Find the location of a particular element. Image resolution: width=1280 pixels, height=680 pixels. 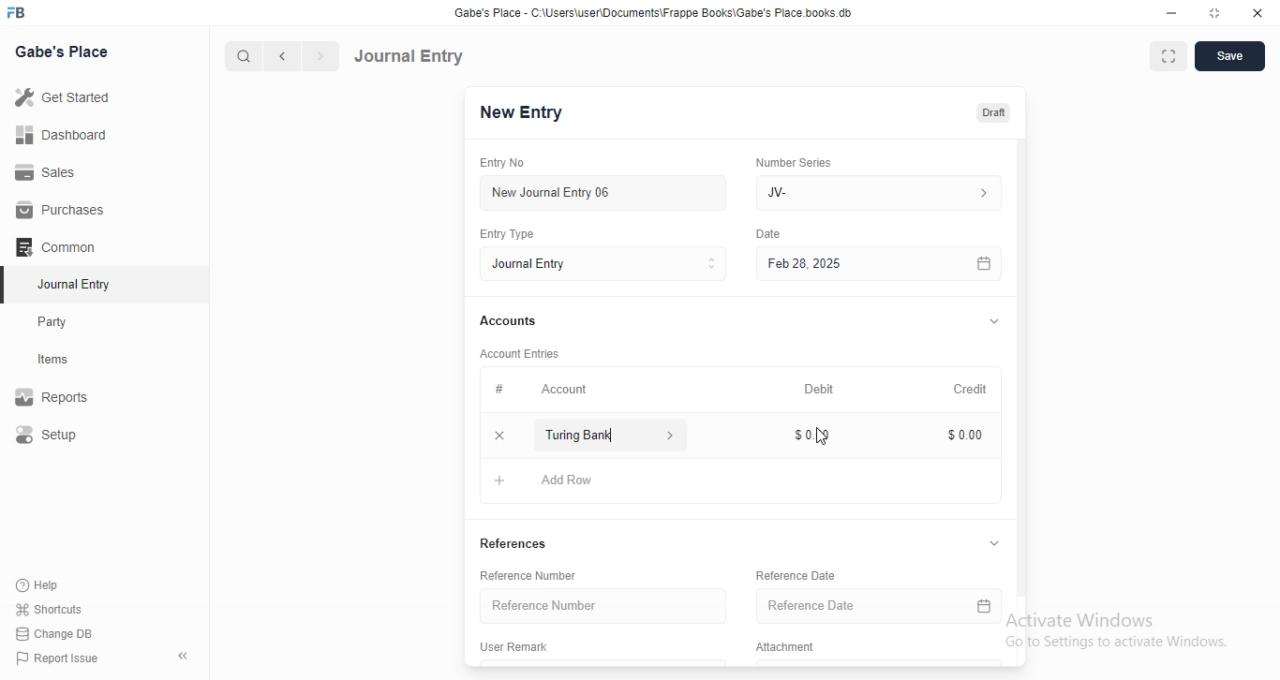

close is located at coordinates (498, 436).